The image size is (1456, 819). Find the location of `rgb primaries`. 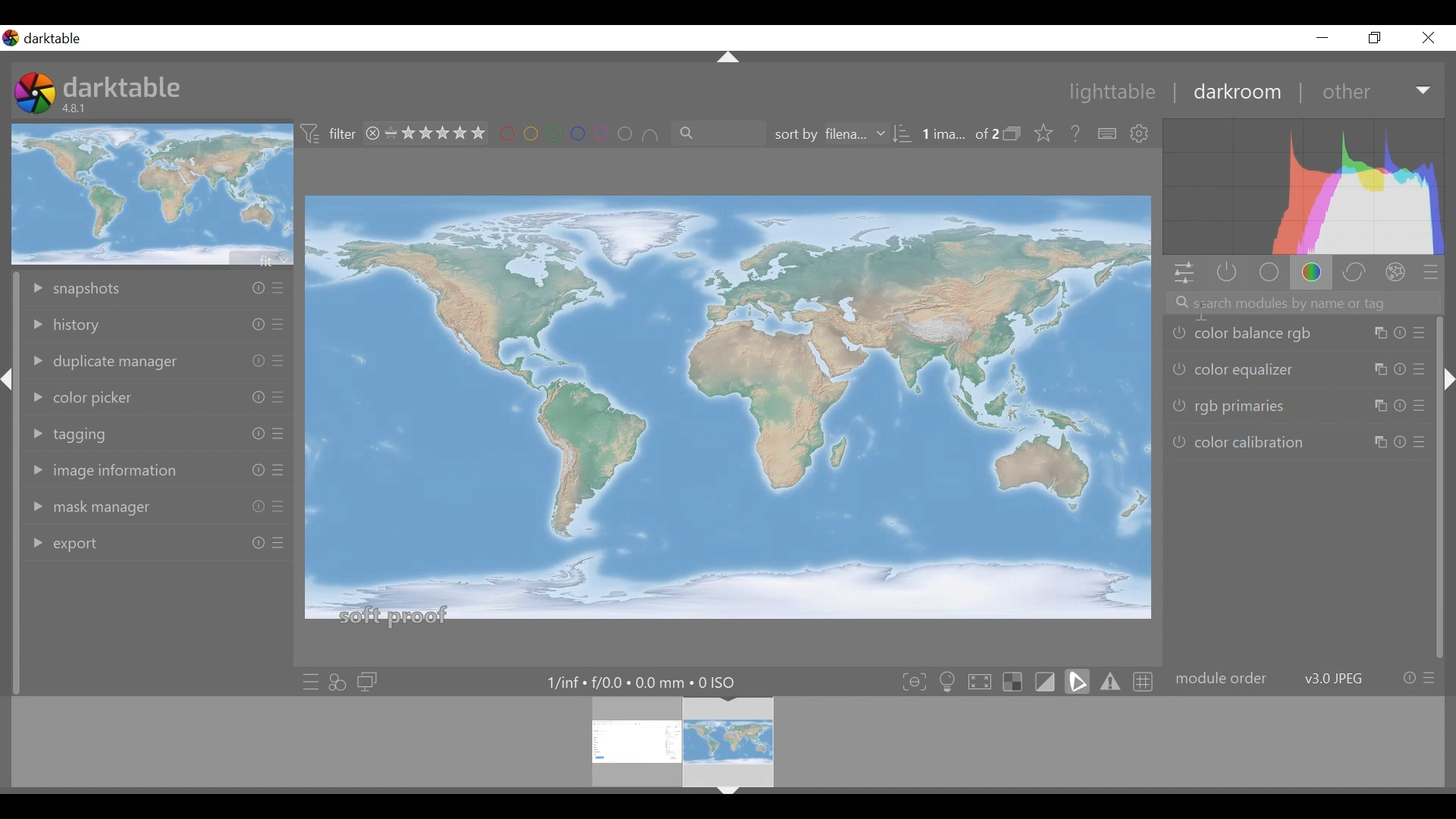

rgb primaries is located at coordinates (1228, 408).